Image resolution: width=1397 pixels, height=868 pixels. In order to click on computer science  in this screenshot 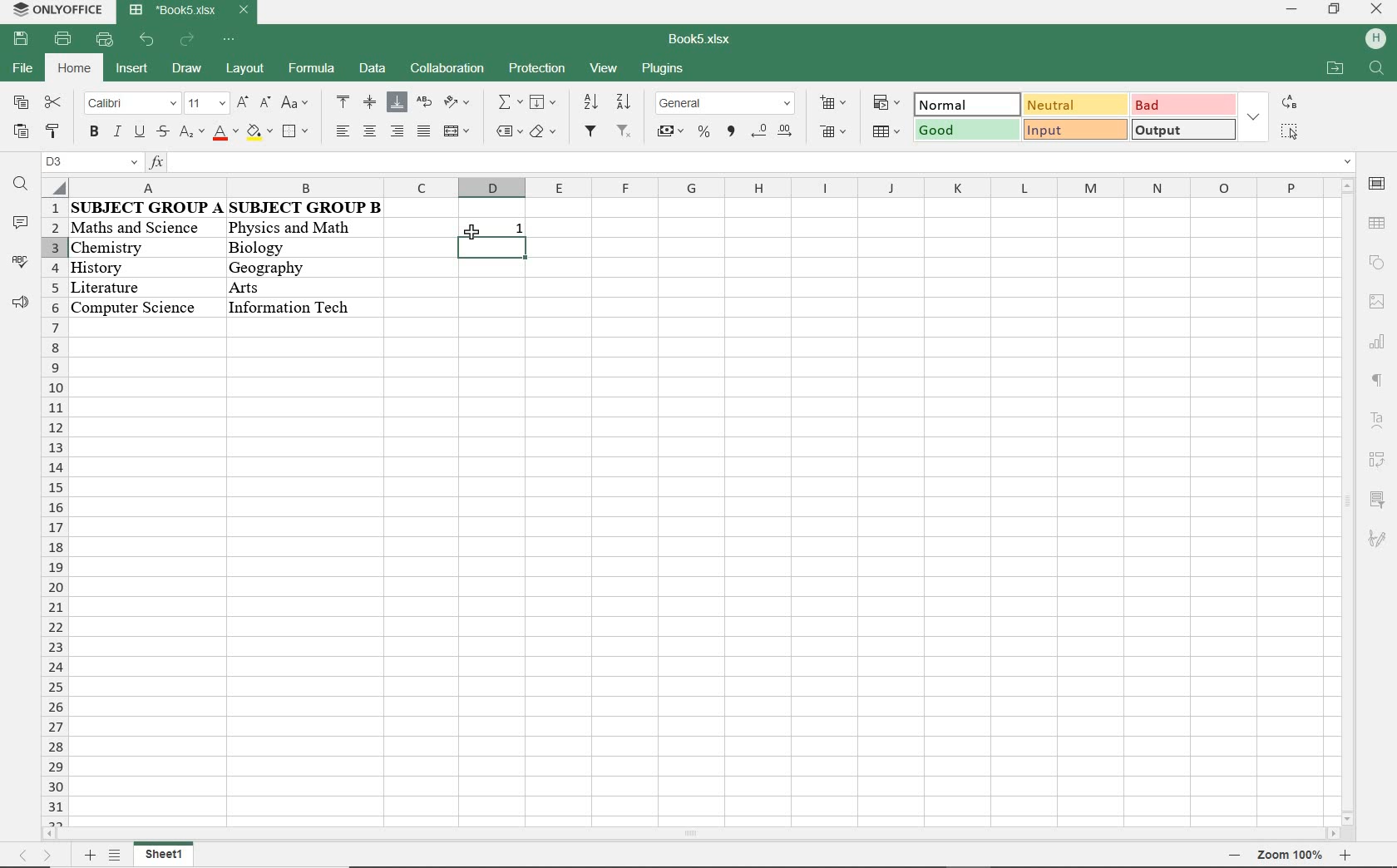, I will do `click(134, 306)`.